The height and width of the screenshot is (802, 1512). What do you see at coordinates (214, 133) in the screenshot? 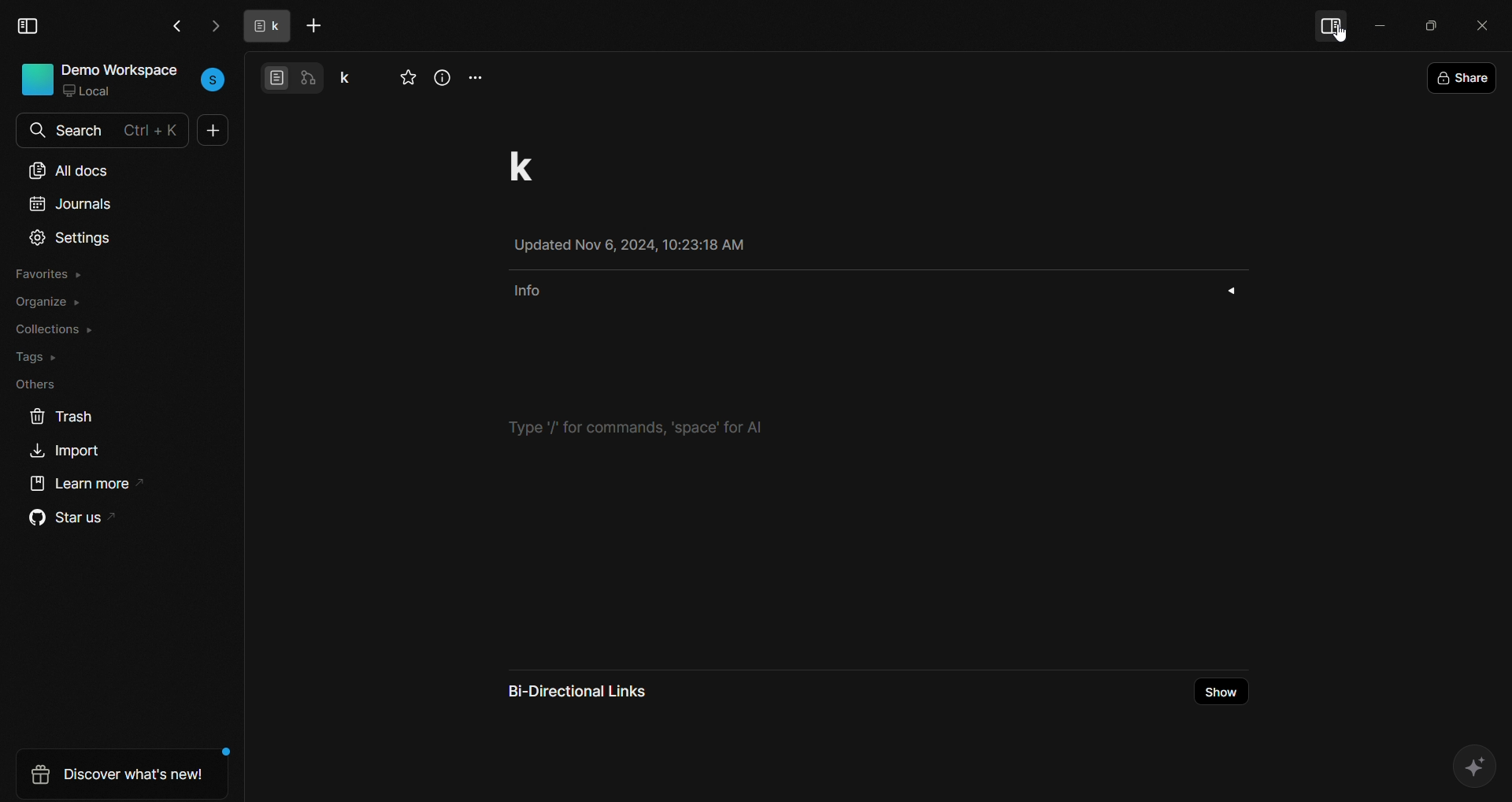
I see `new doc` at bounding box center [214, 133].